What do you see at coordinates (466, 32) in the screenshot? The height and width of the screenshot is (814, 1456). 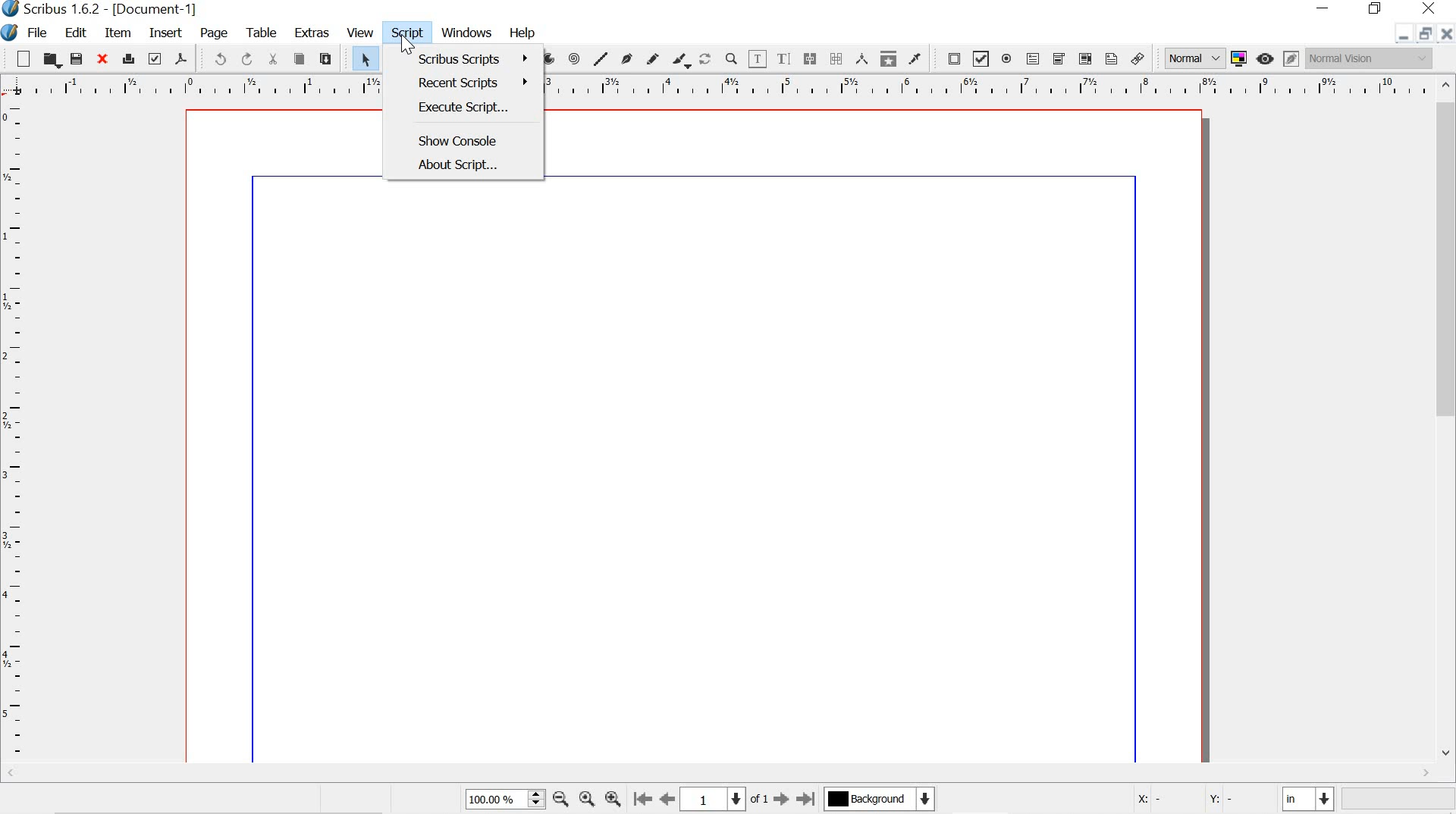 I see `windows` at bounding box center [466, 32].